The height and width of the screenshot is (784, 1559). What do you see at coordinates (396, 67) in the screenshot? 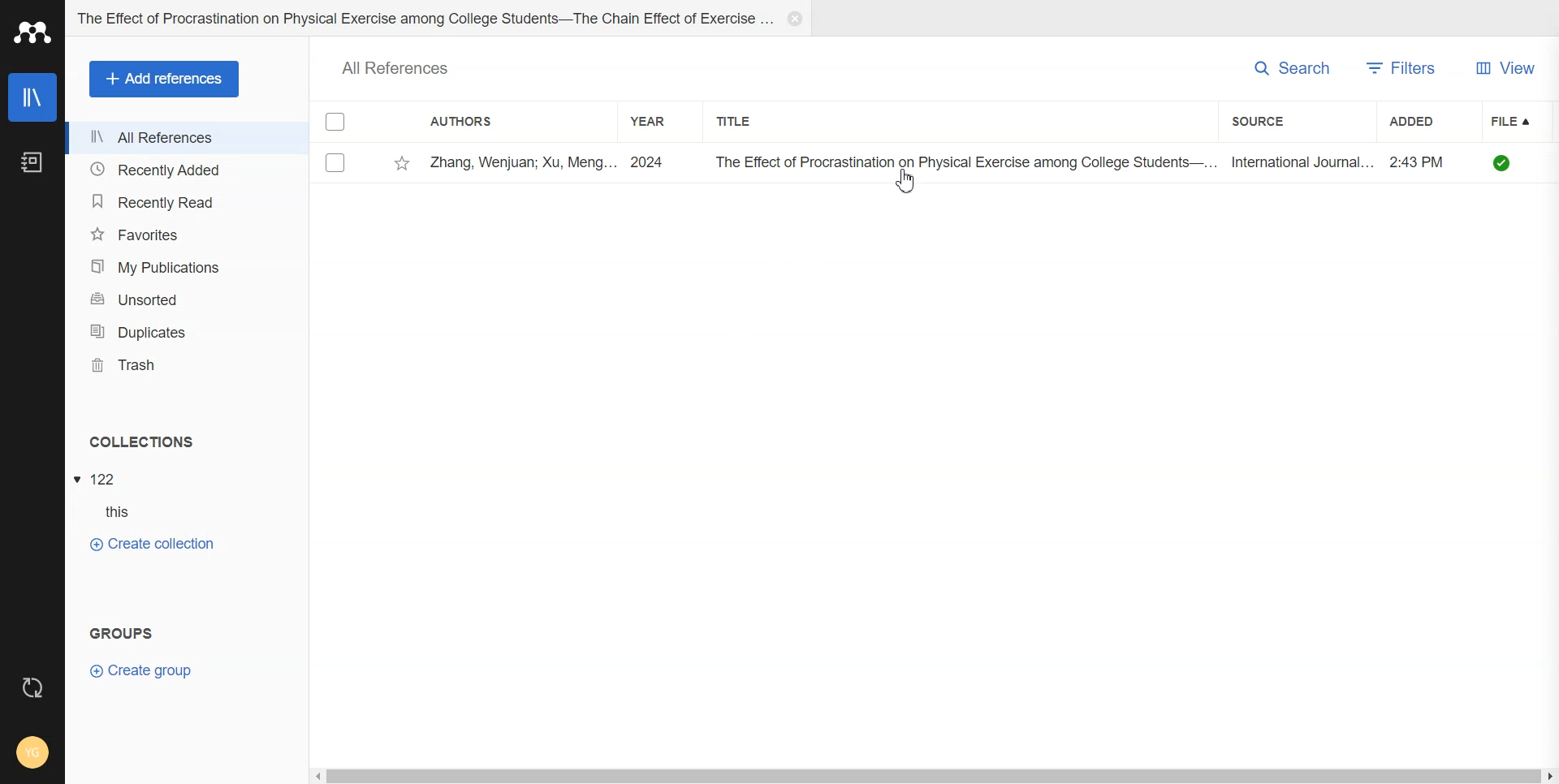
I see `Text` at bounding box center [396, 67].